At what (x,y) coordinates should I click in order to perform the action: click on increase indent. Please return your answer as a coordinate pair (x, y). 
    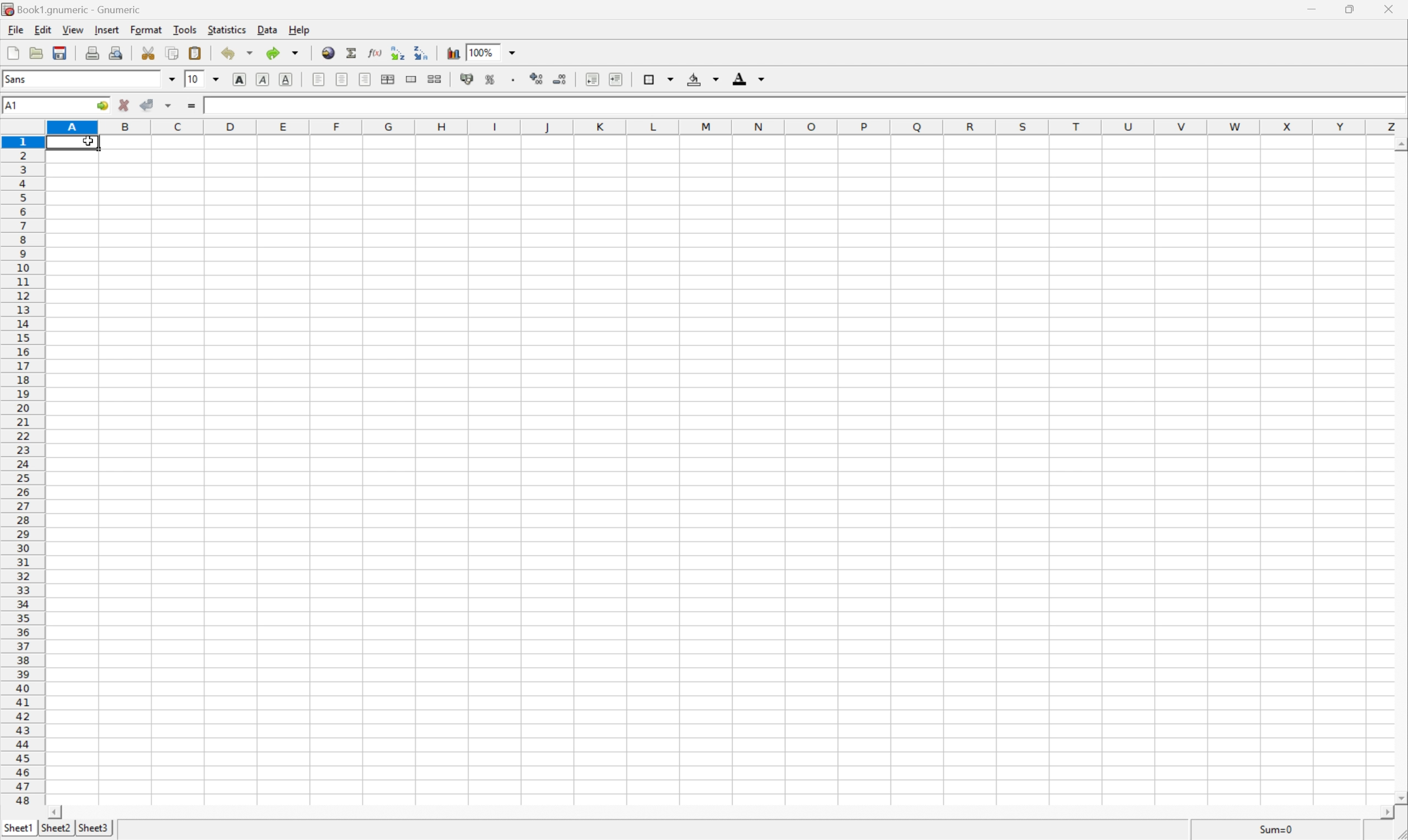
    Looking at the image, I should click on (613, 78).